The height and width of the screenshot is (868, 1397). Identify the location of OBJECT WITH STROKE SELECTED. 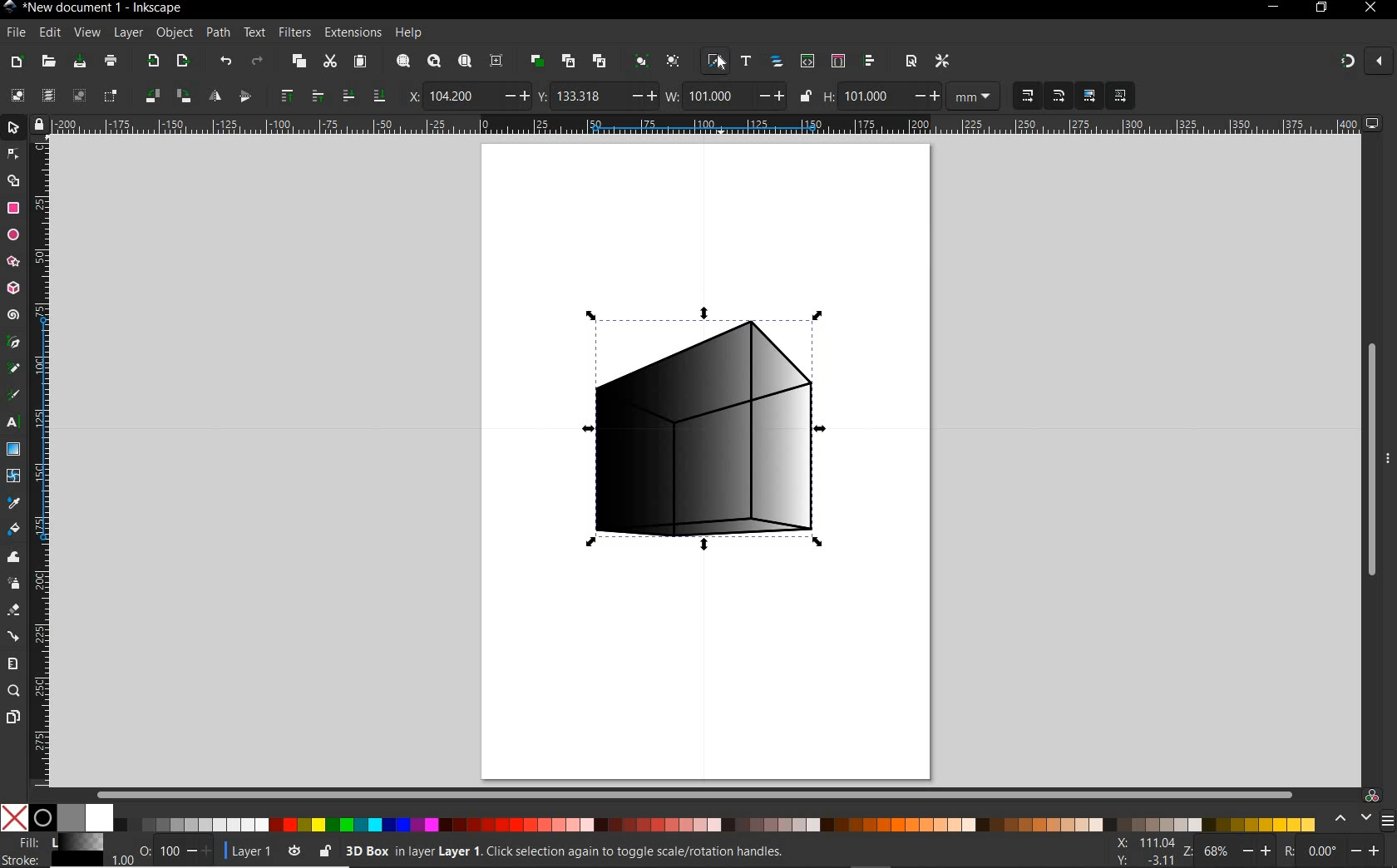
(698, 437).